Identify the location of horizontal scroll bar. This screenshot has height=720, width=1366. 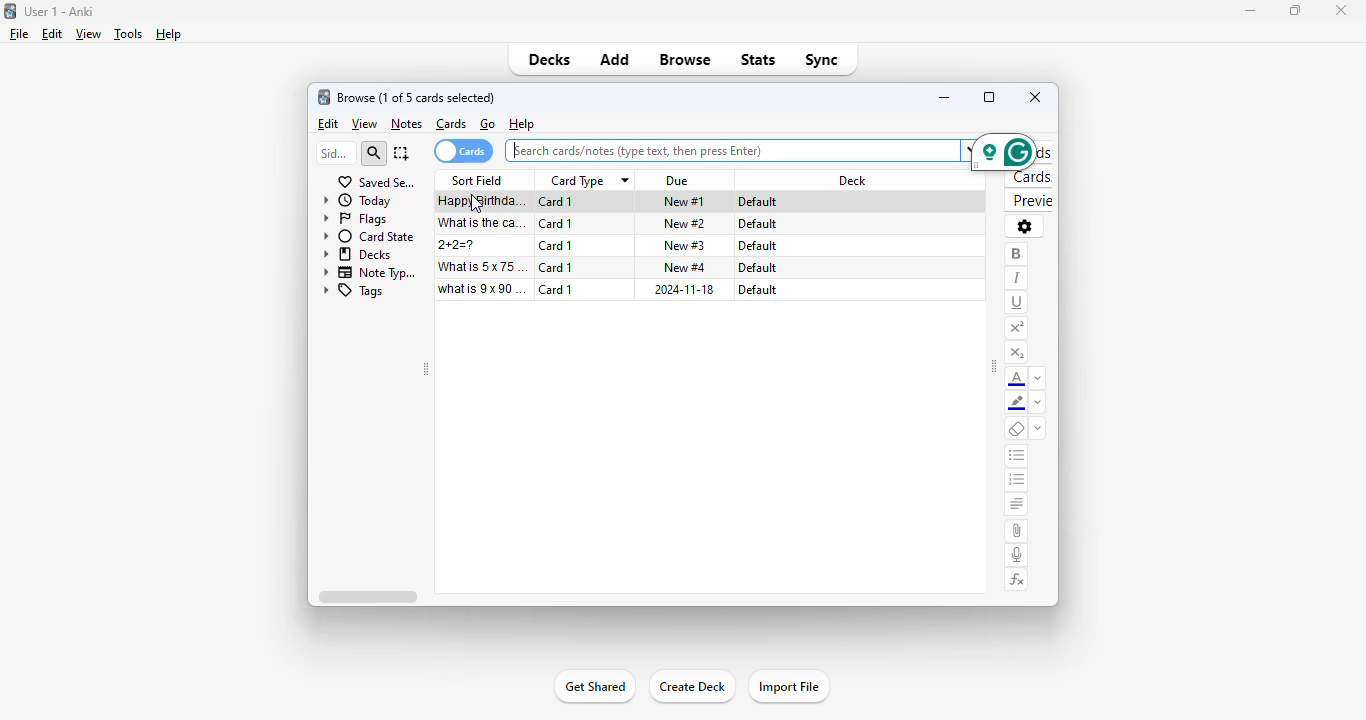
(367, 596).